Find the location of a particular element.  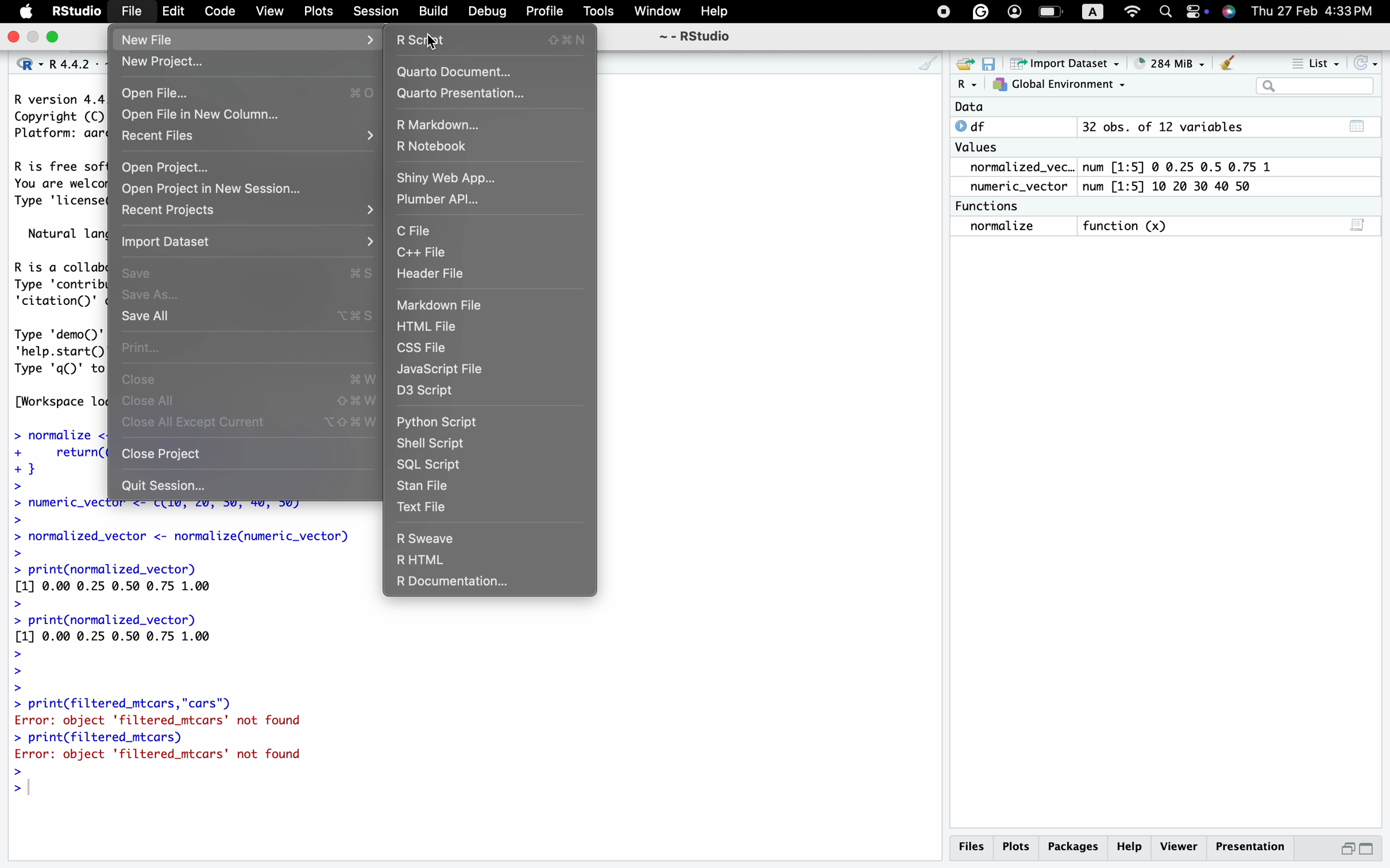

JavaScript File is located at coordinates (444, 371).